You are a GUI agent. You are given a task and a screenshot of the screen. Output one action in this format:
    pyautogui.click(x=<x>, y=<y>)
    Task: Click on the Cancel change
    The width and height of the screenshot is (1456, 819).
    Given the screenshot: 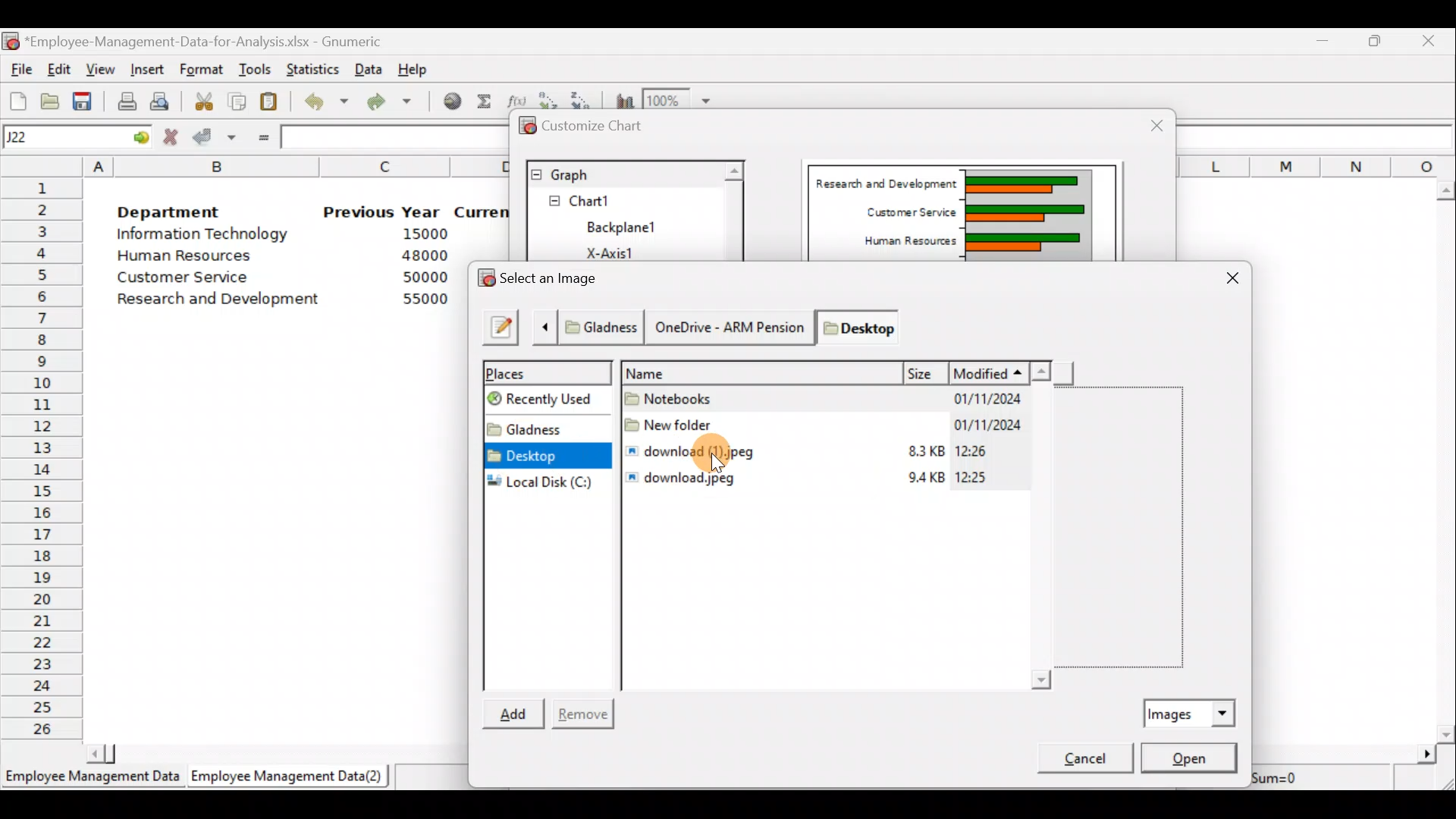 What is the action you would take?
    pyautogui.click(x=172, y=137)
    